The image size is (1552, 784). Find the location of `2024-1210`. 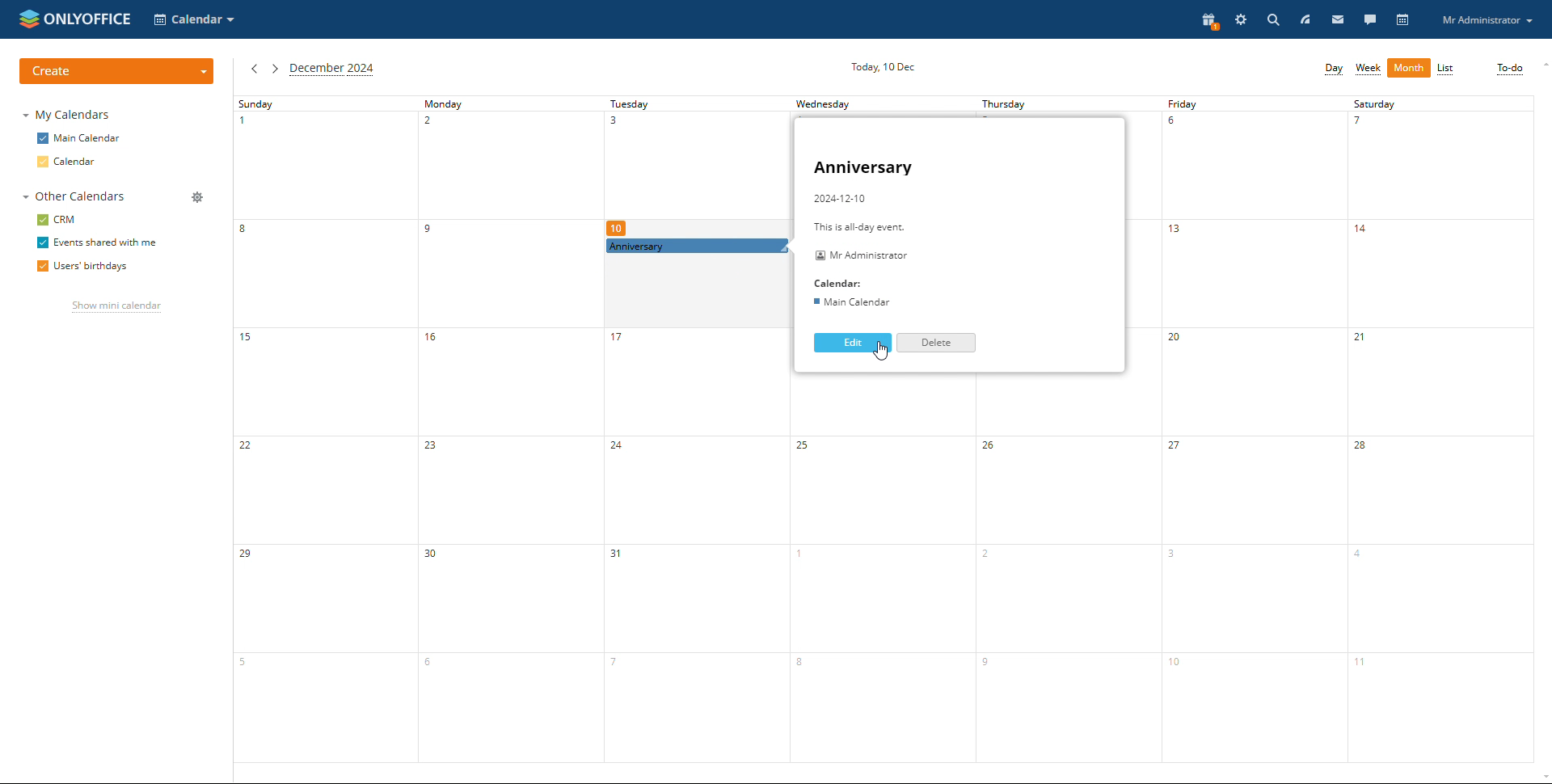

2024-1210 is located at coordinates (842, 197).